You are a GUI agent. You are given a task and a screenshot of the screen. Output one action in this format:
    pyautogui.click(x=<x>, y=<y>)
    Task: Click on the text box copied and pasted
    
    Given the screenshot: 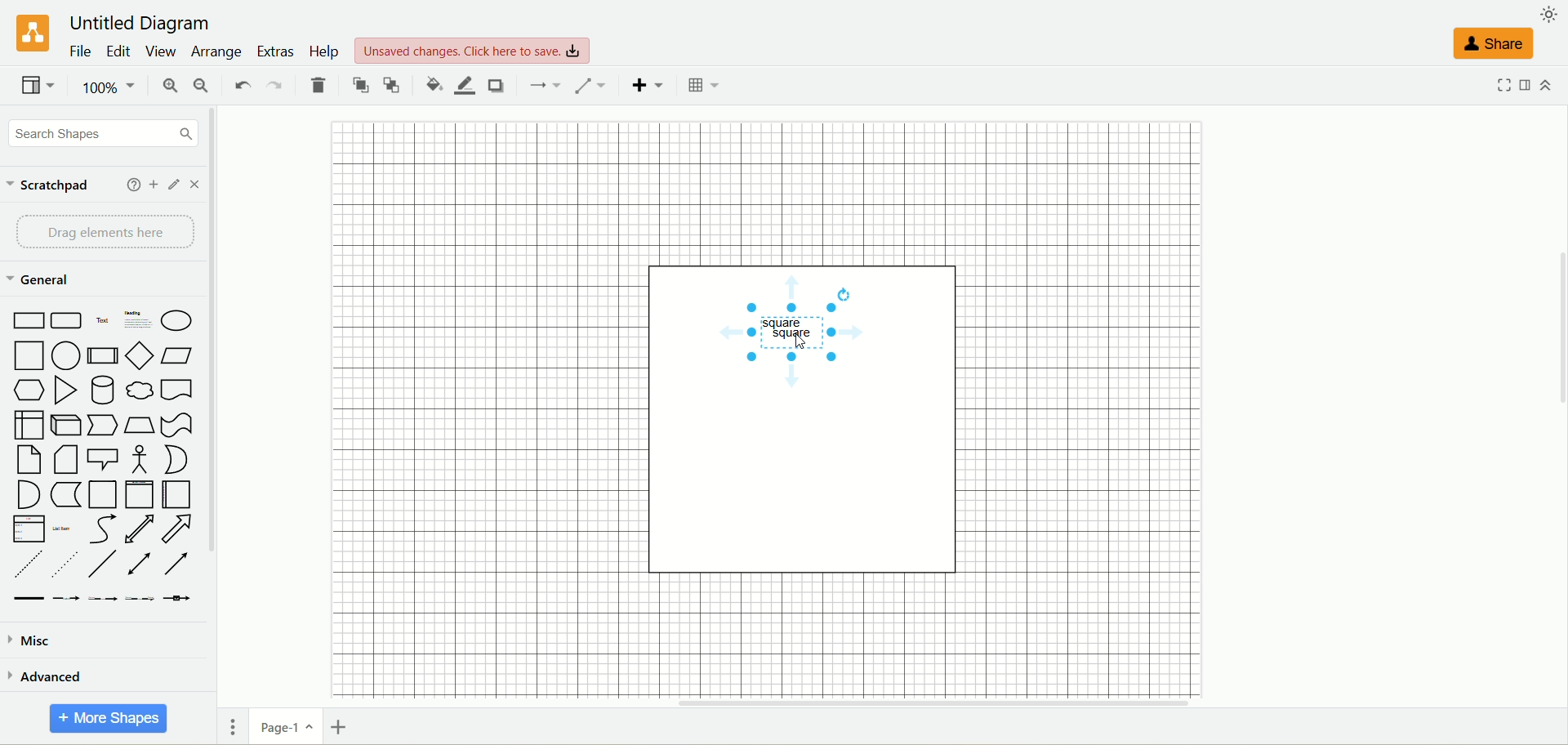 What is the action you would take?
    pyautogui.click(x=801, y=343)
    